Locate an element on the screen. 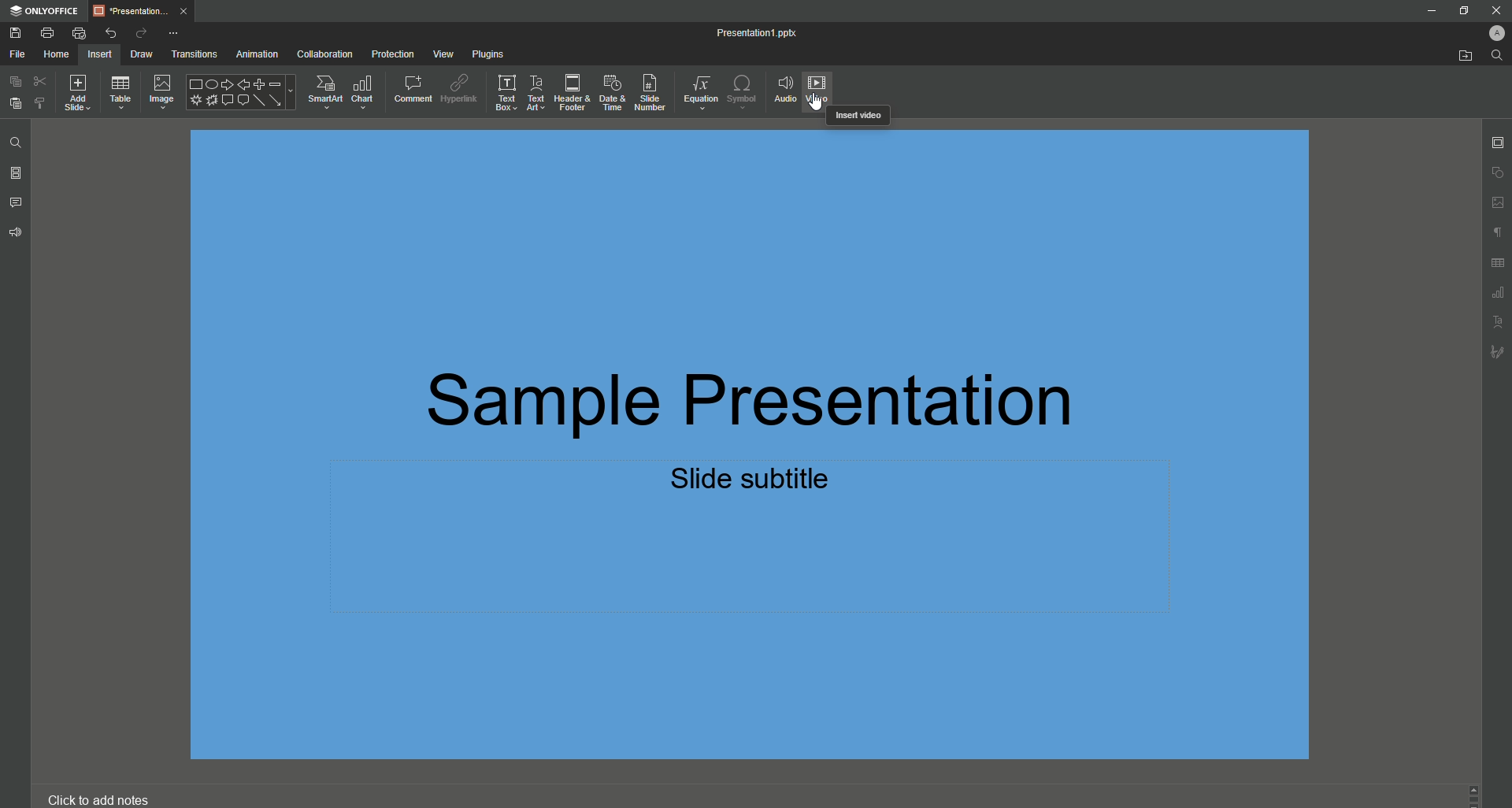  Feedback is located at coordinates (18, 232).